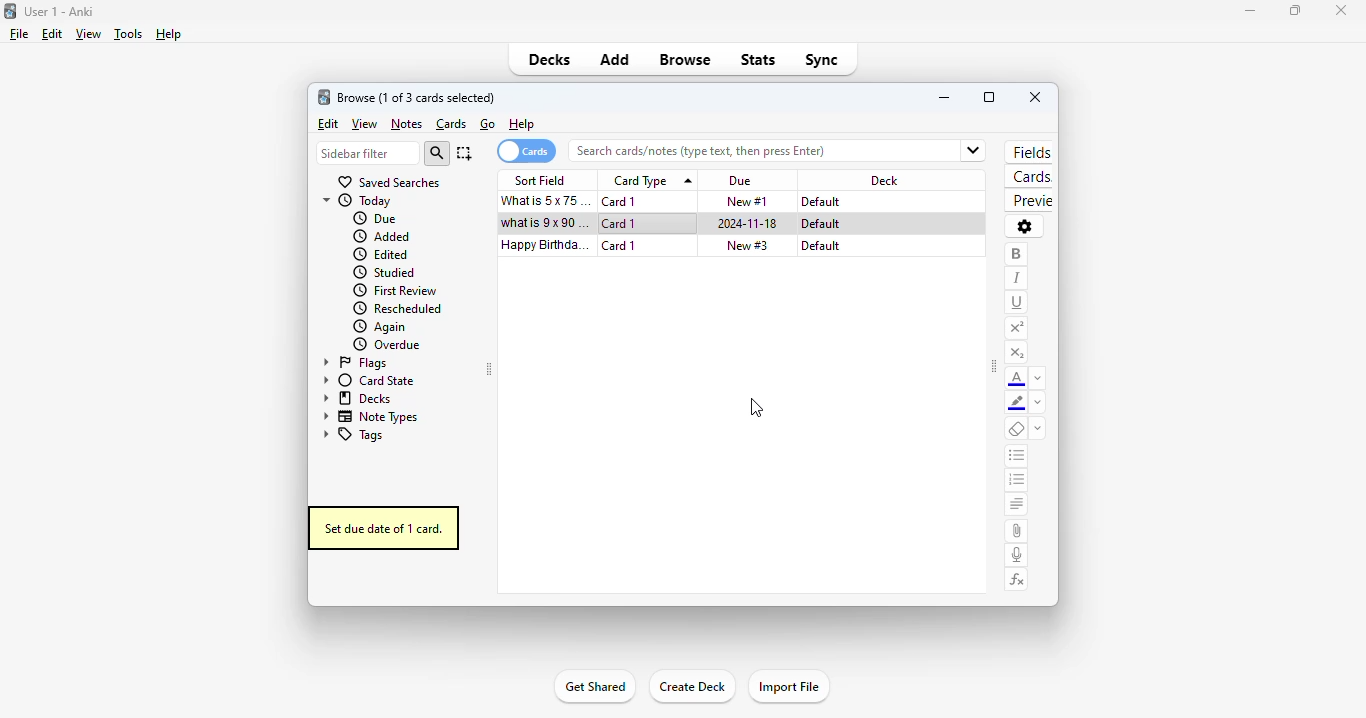 The image size is (1366, 718). Describe the element at coordinates (407, 124) in the screenshot. I see `notes` at that location.